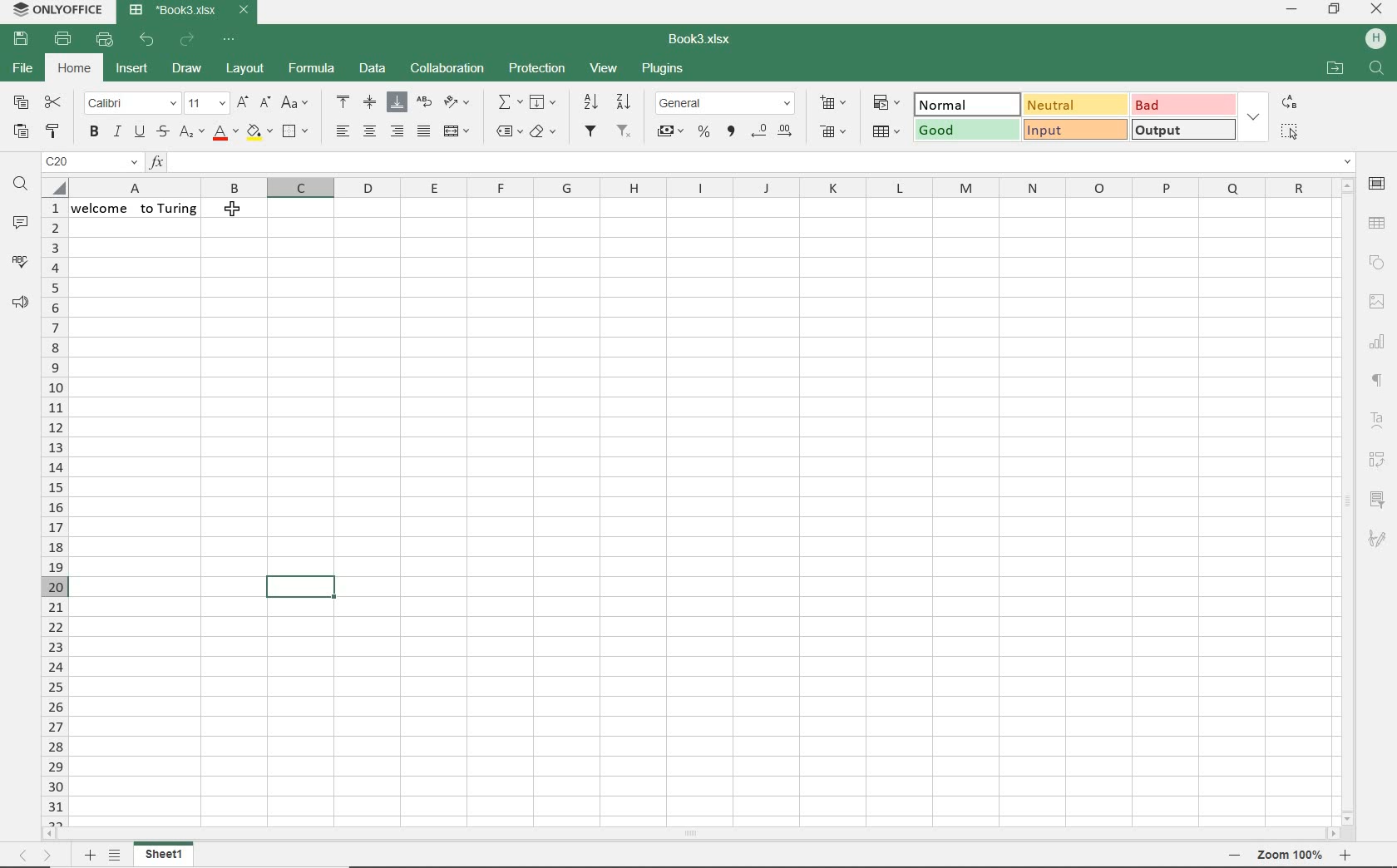  Describe the element at coordinates (148, 41) in the screenshot. I see `undo` at that location.